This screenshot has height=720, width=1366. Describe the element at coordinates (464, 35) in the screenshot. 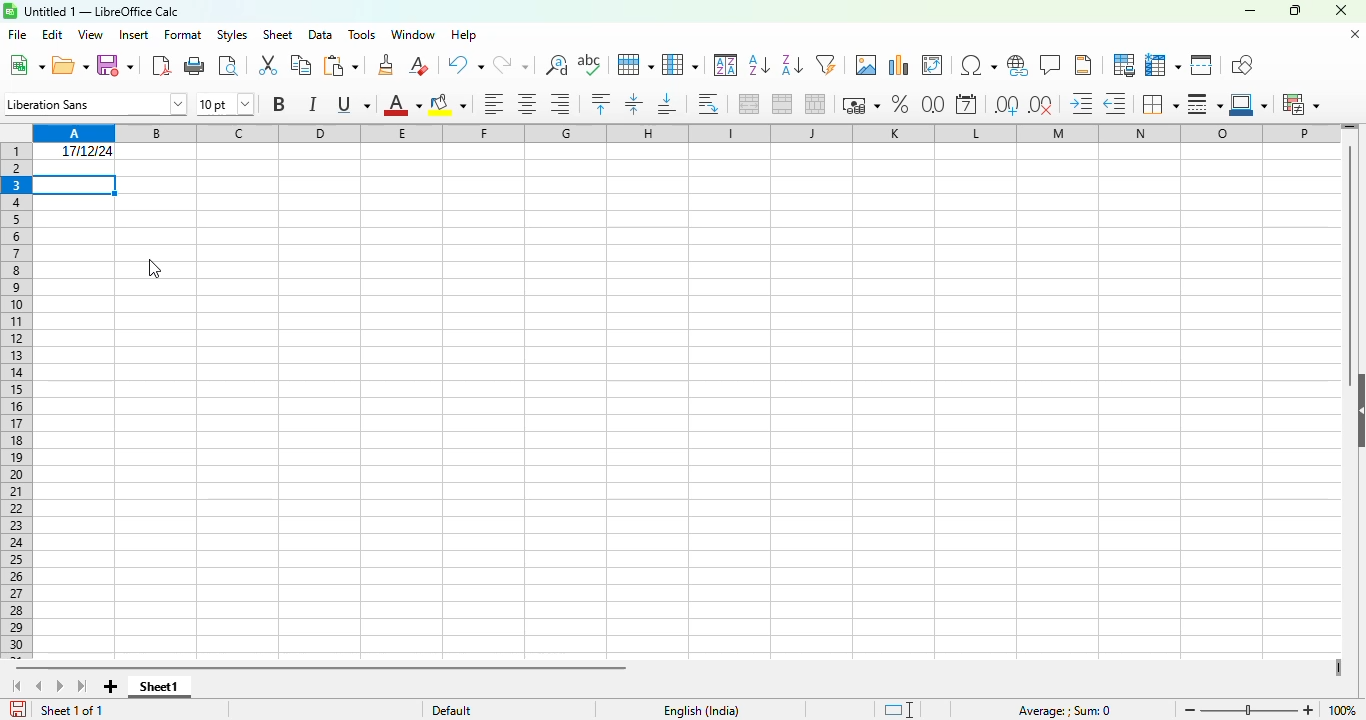

I see `help` at that location.